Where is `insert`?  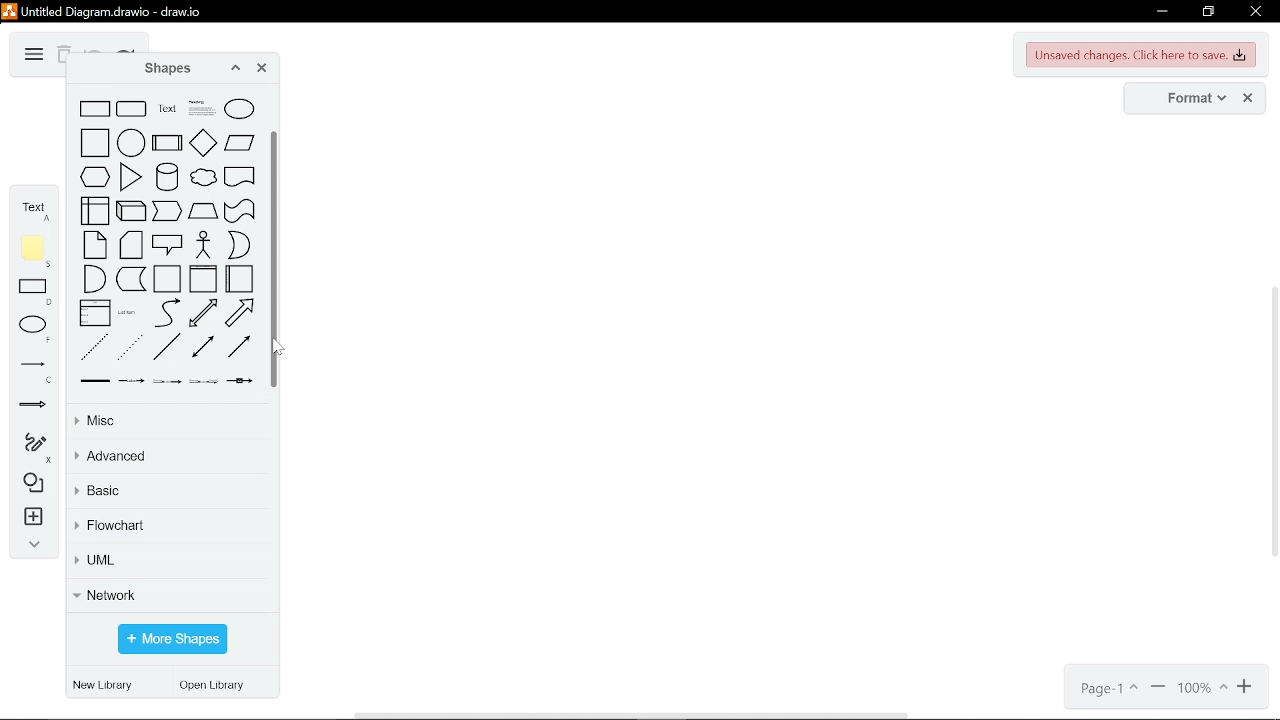
insert is located at coordinates (31, 519).